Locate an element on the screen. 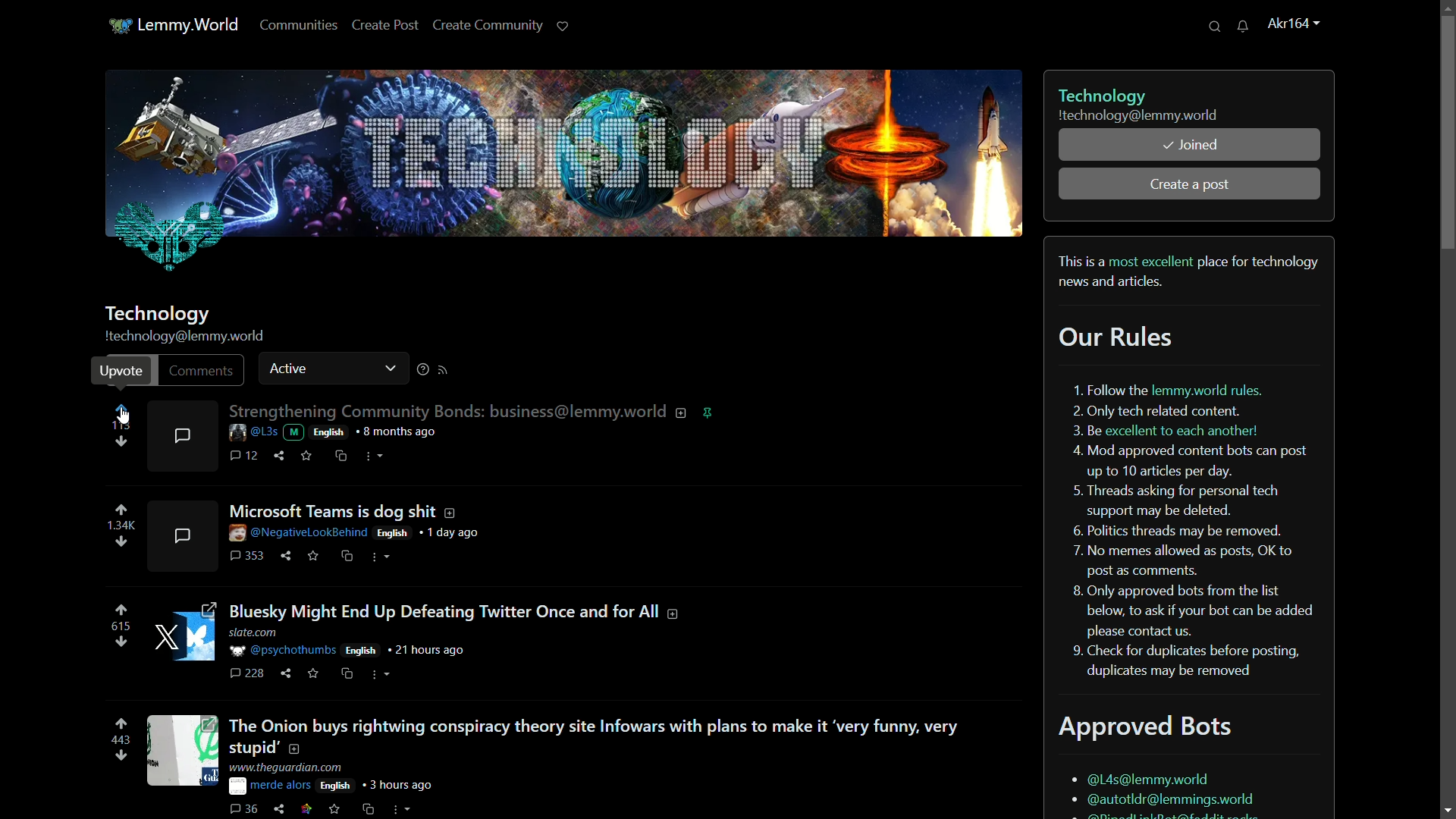 The image size is (1456, 819). create post is located at coordinates (384, 27).